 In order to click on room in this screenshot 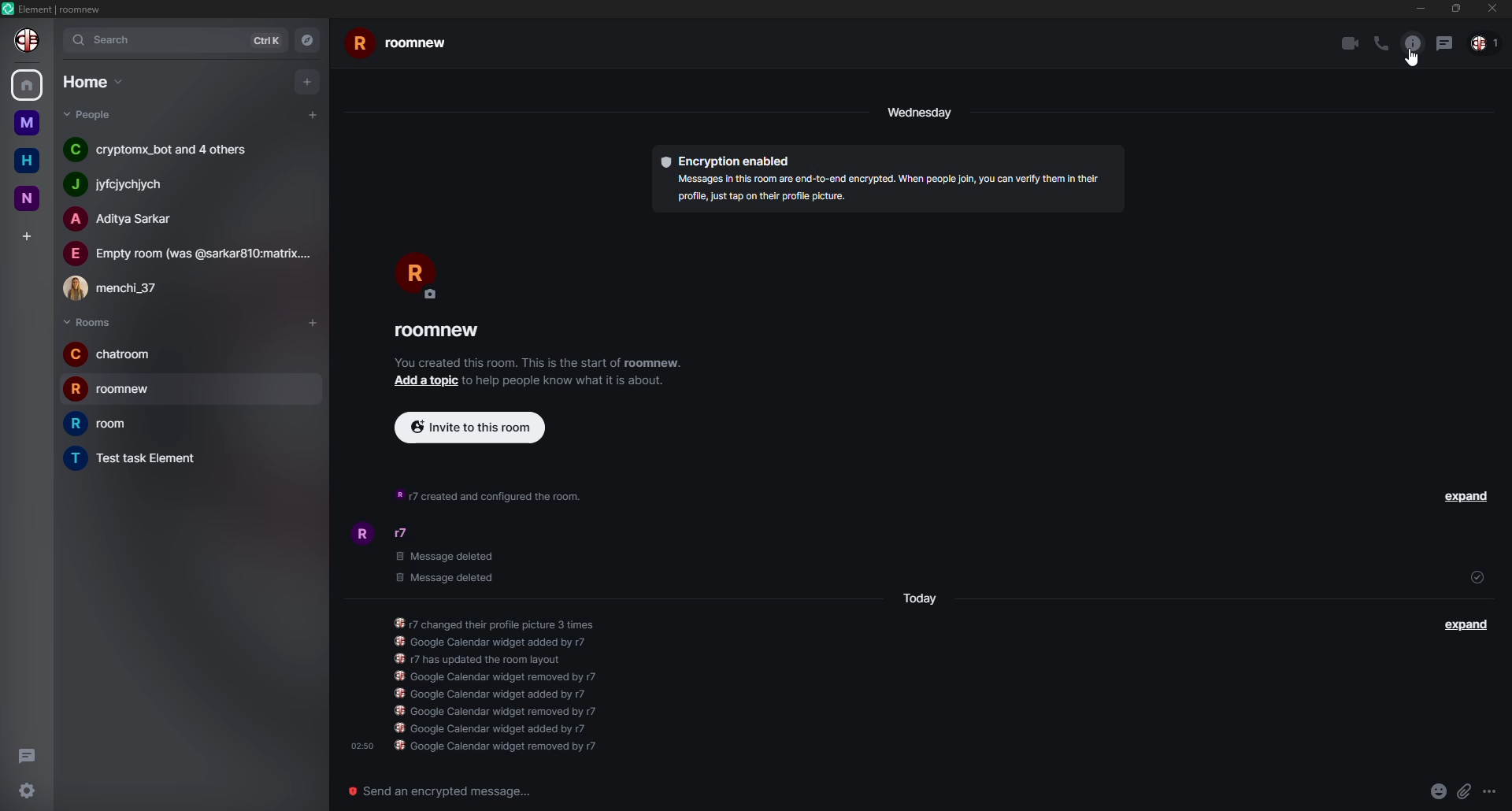, I will do `click(30, 198)`.